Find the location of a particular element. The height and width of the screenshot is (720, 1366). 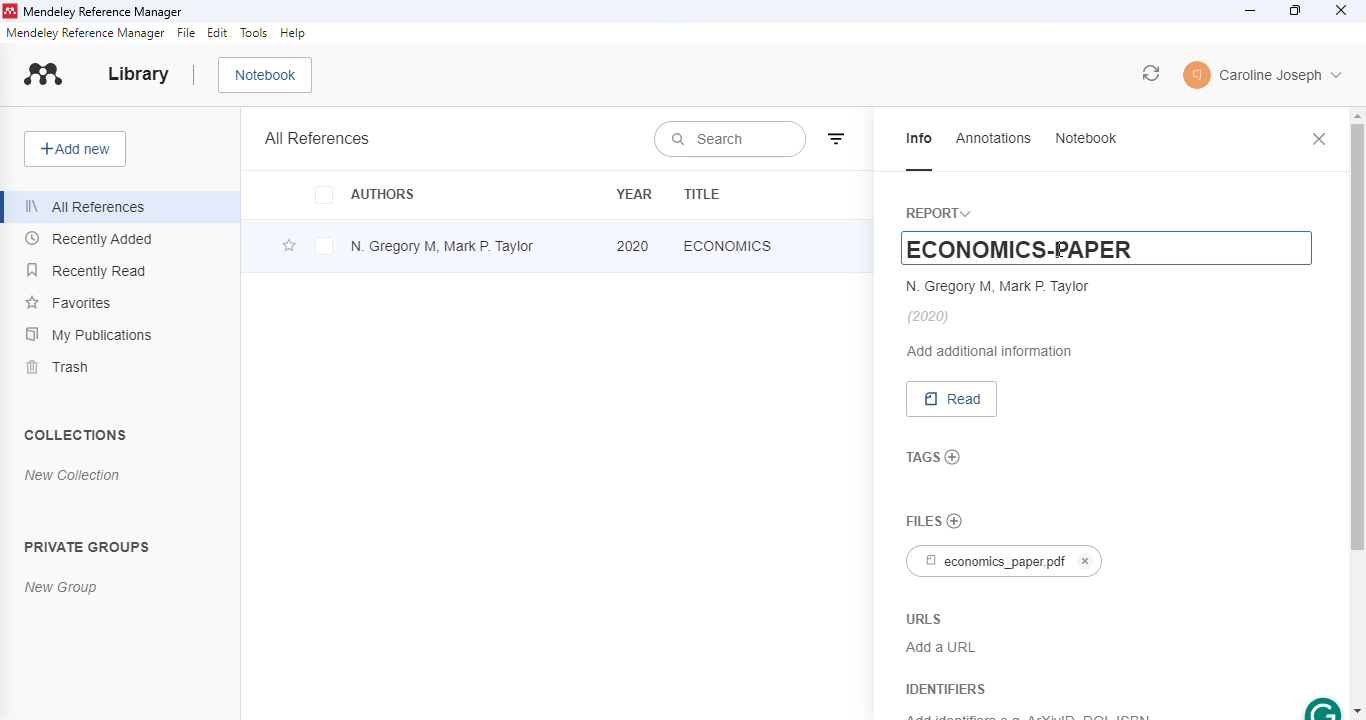

new group is located at coordinates (61, 586).